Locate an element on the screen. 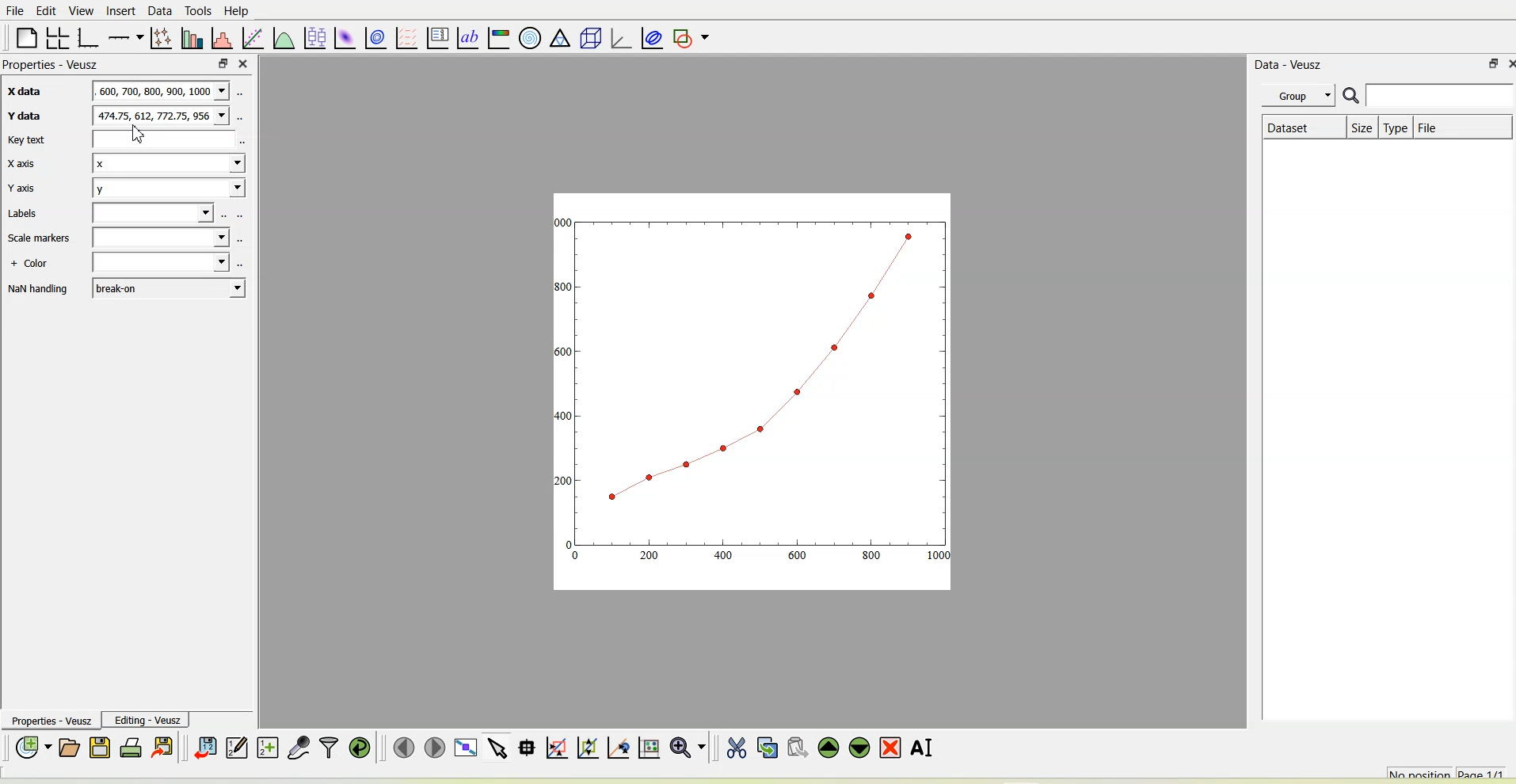  plot box plots is located at coordinates (314, 37).